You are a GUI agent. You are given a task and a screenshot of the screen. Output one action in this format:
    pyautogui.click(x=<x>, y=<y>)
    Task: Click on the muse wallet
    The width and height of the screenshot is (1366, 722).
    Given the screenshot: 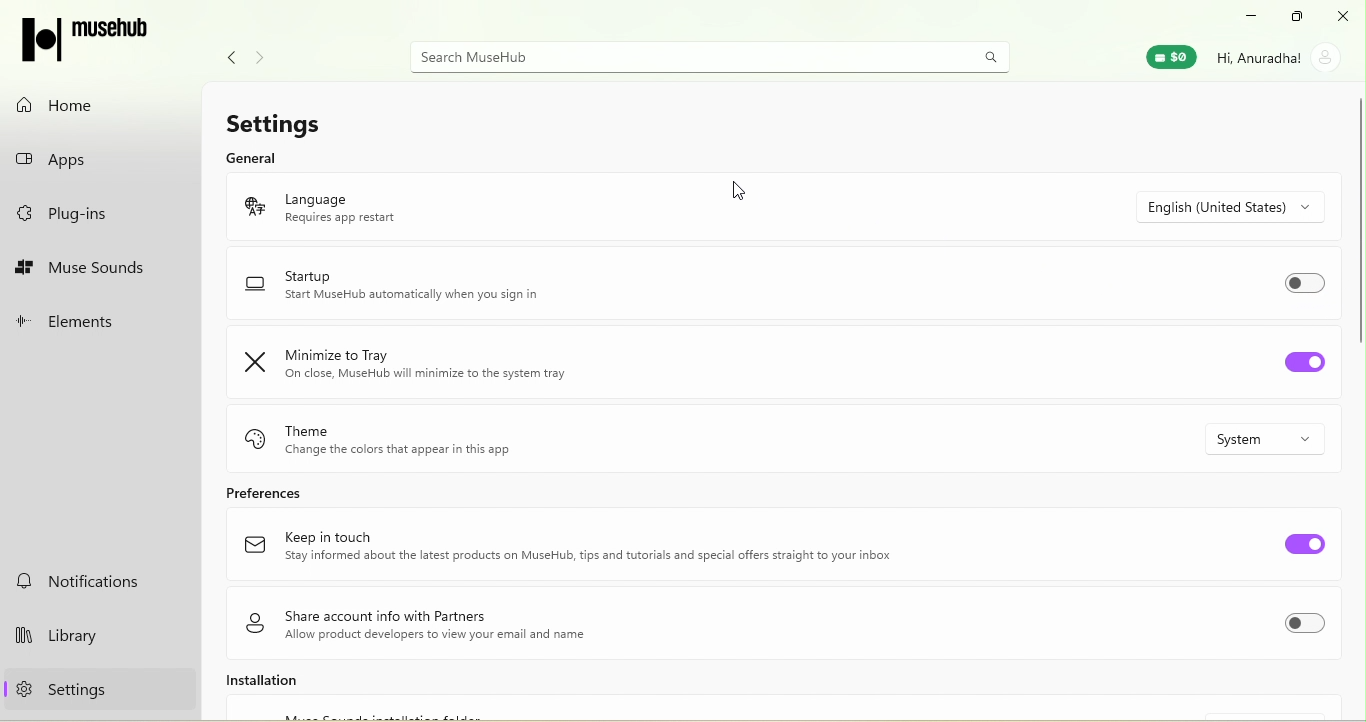 What is the action you would take?
    pyautogui.click(x=1166, y=59)
    